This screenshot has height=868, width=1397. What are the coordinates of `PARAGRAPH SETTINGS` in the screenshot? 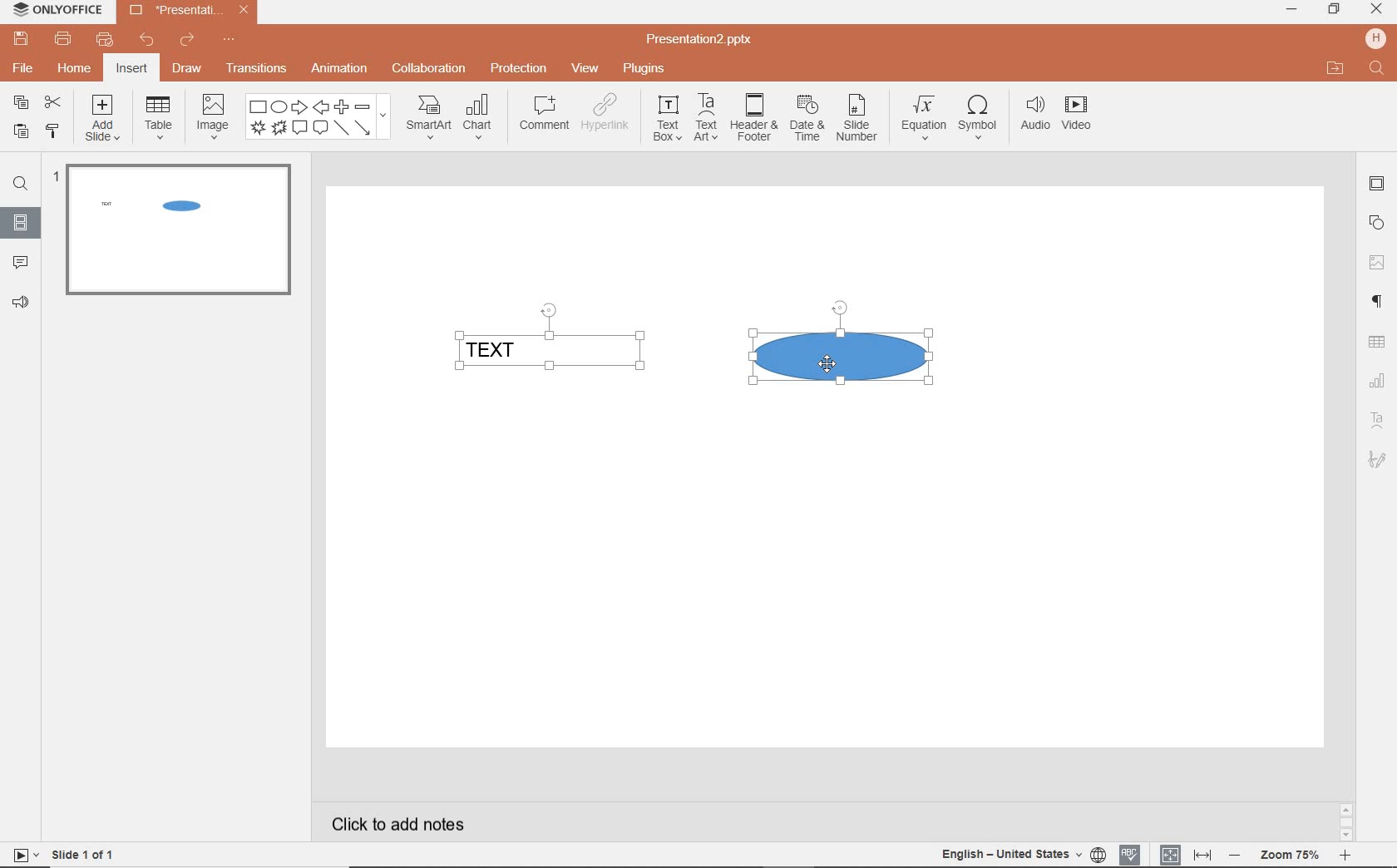 It's located at (1378, 303).